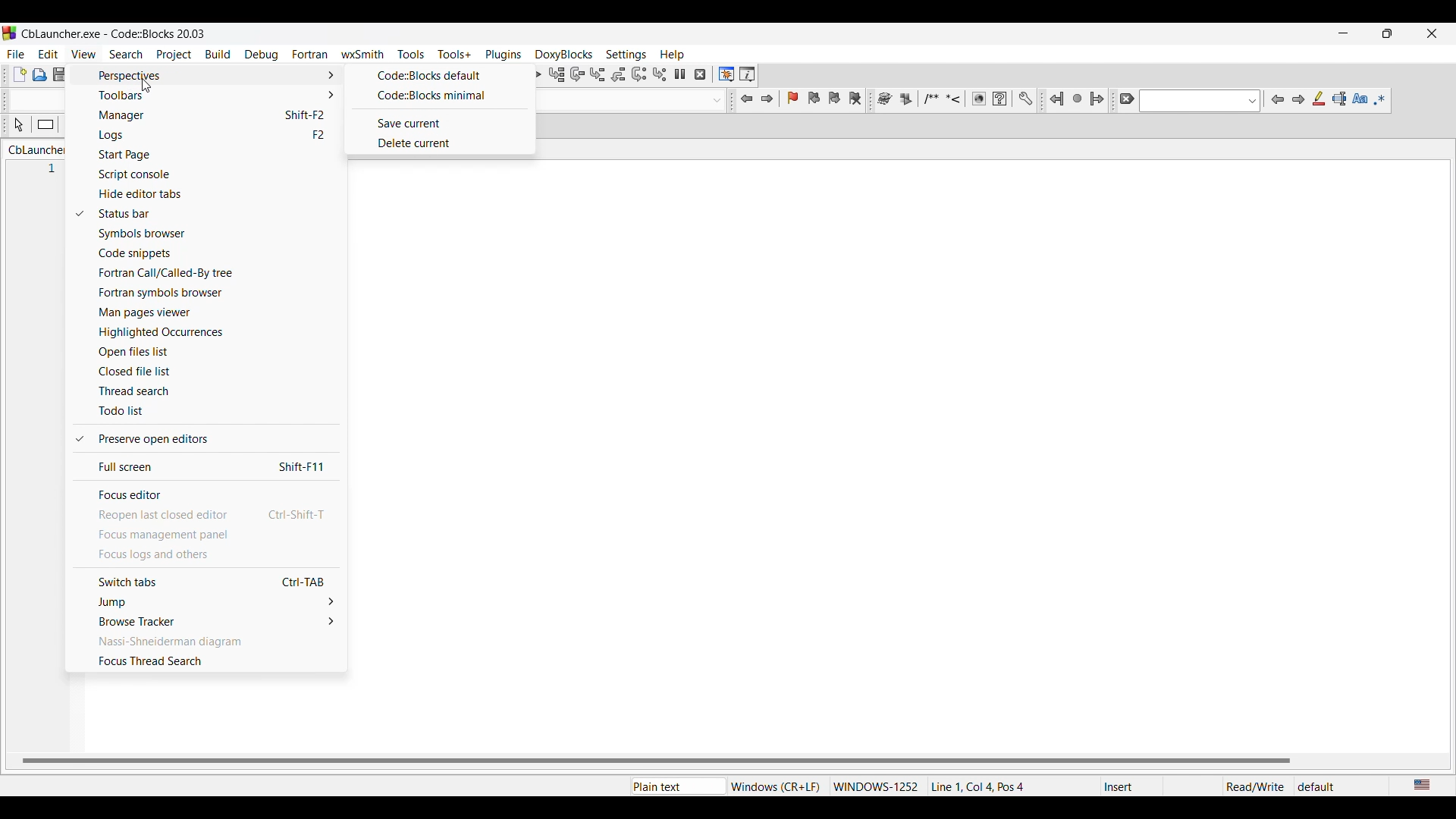 The width and height of the screenshot is (1456, 819). What do you see at coordinates (18, 124) in the screenshot?
I see `Select` at bounding box center [18, 124].